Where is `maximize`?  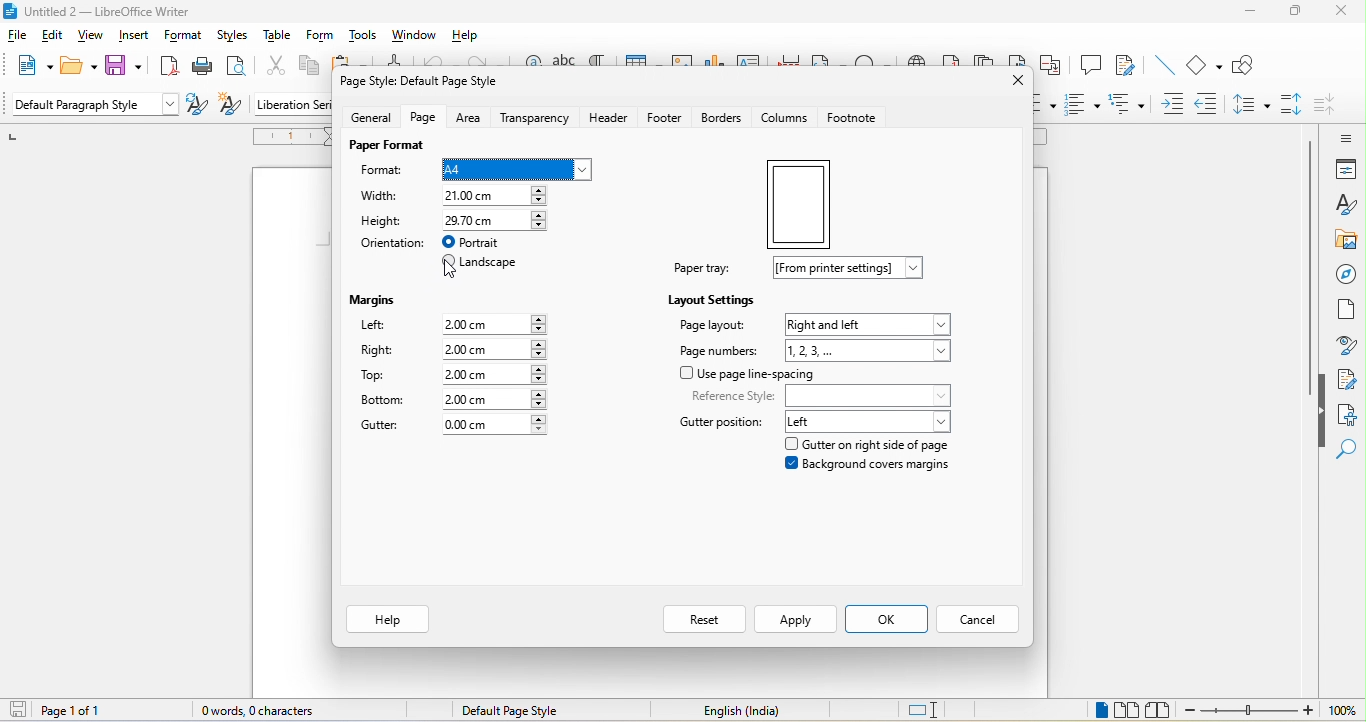 maximize is located at coordinates (1296, 11).